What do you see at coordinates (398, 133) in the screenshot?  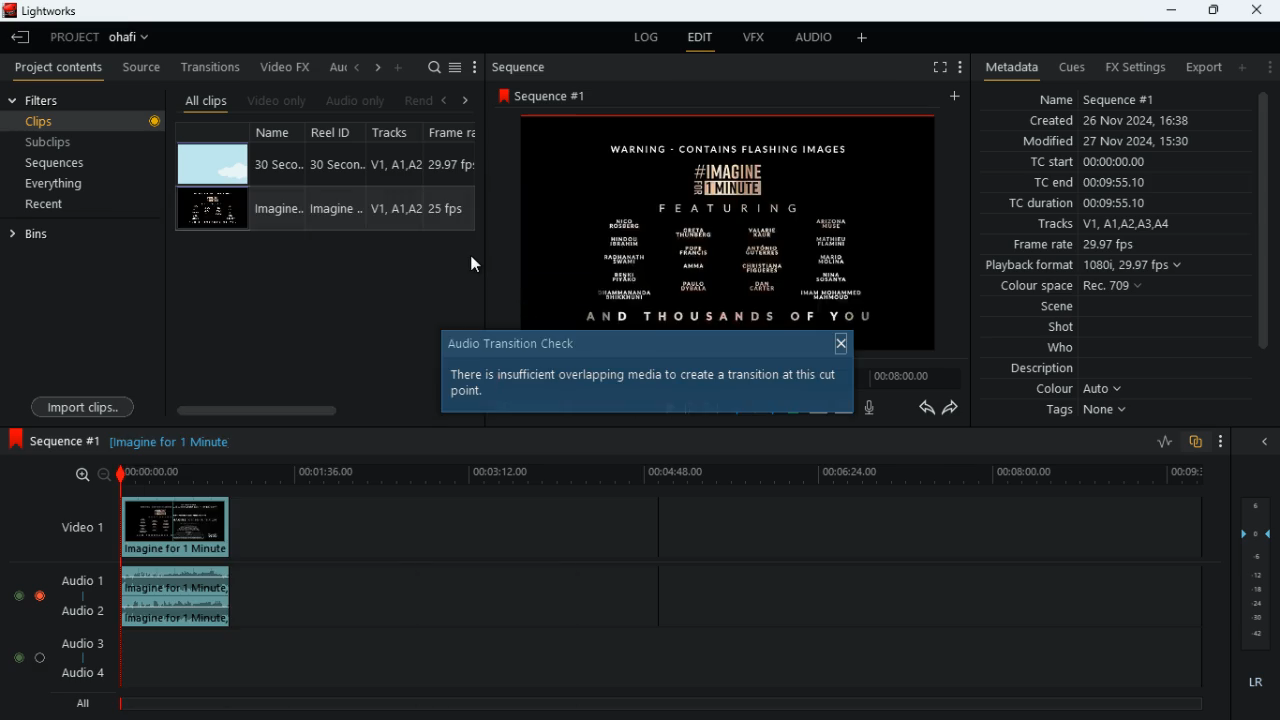 I see `tracks` at bounding box center [398, 133].